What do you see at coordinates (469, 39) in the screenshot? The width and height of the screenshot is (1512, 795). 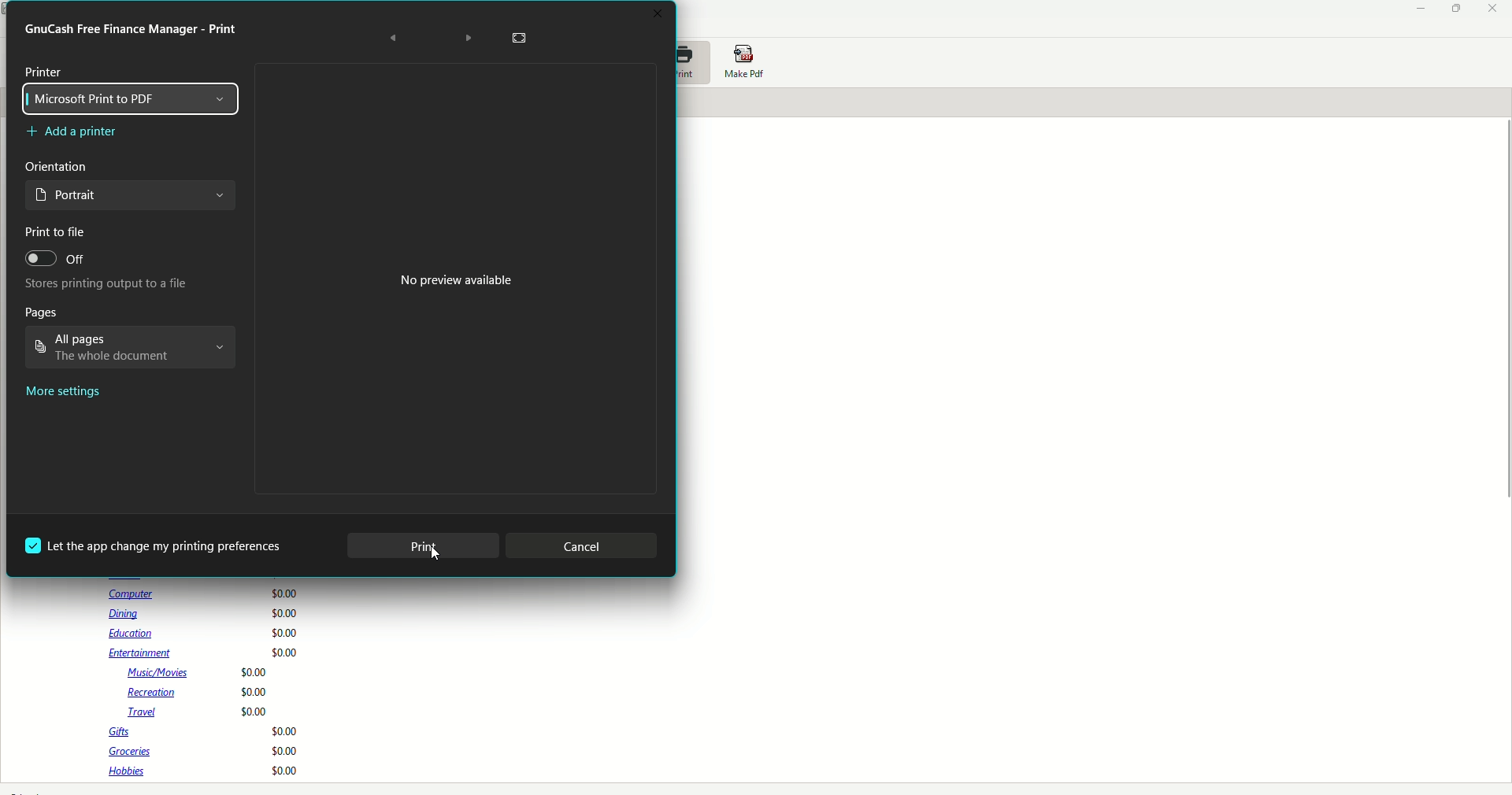 I see `Forward` at bounding box center [469, 39].